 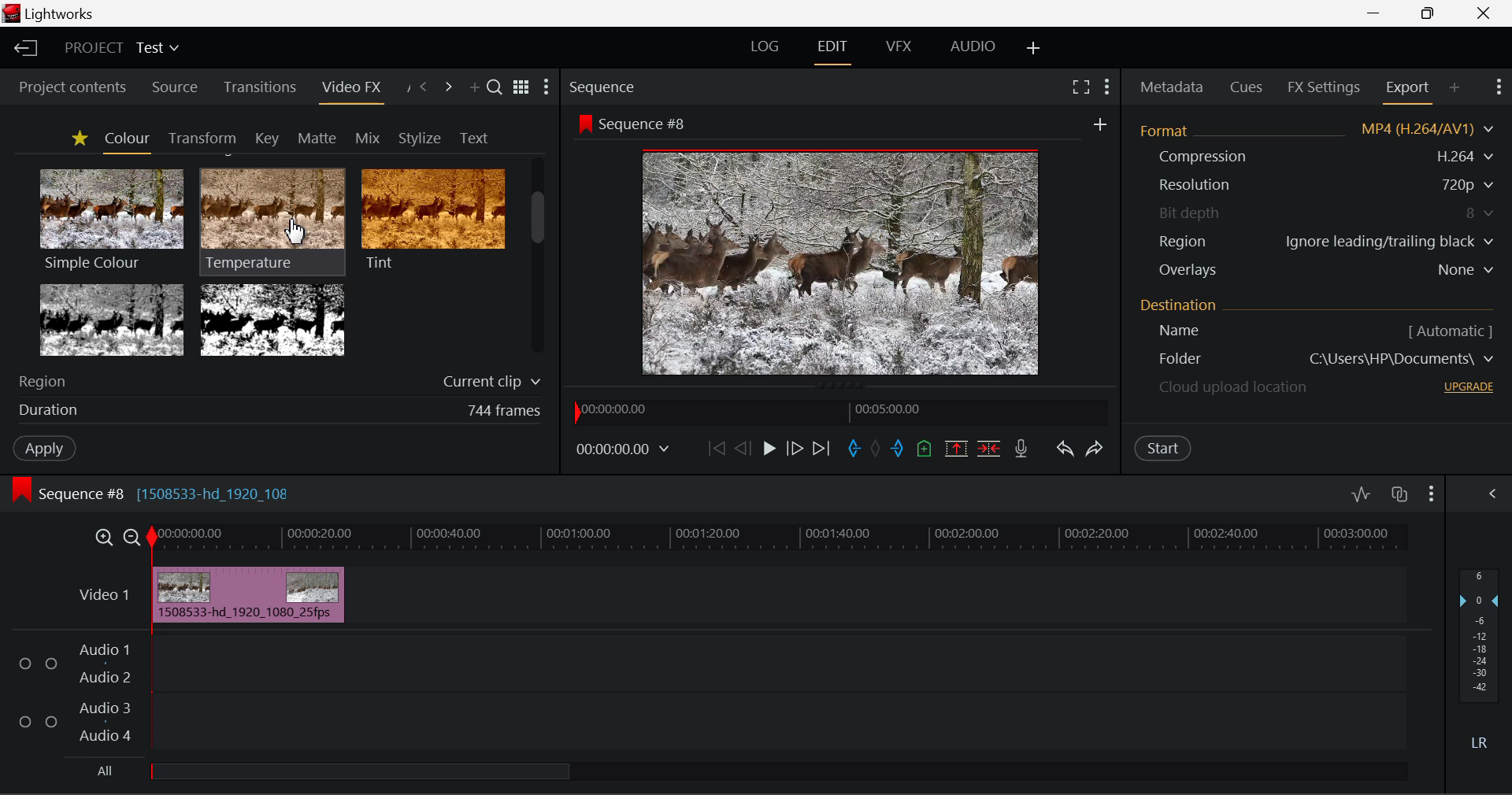 What do you see at coordinates (1469, 184) in the screenshot?
I see `720p ` at bounding box center [1469, 184].